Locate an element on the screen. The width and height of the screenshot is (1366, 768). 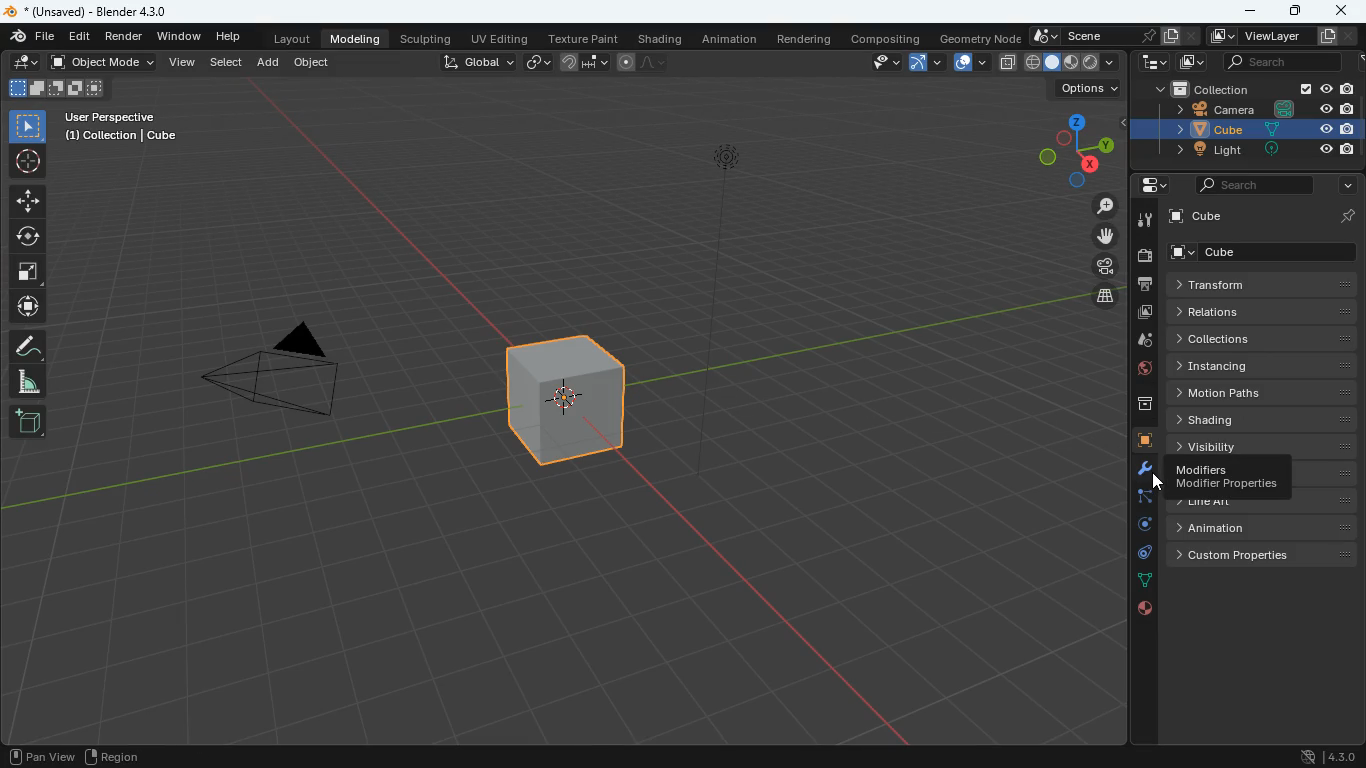
copy is located at coordinates (1008, 63).